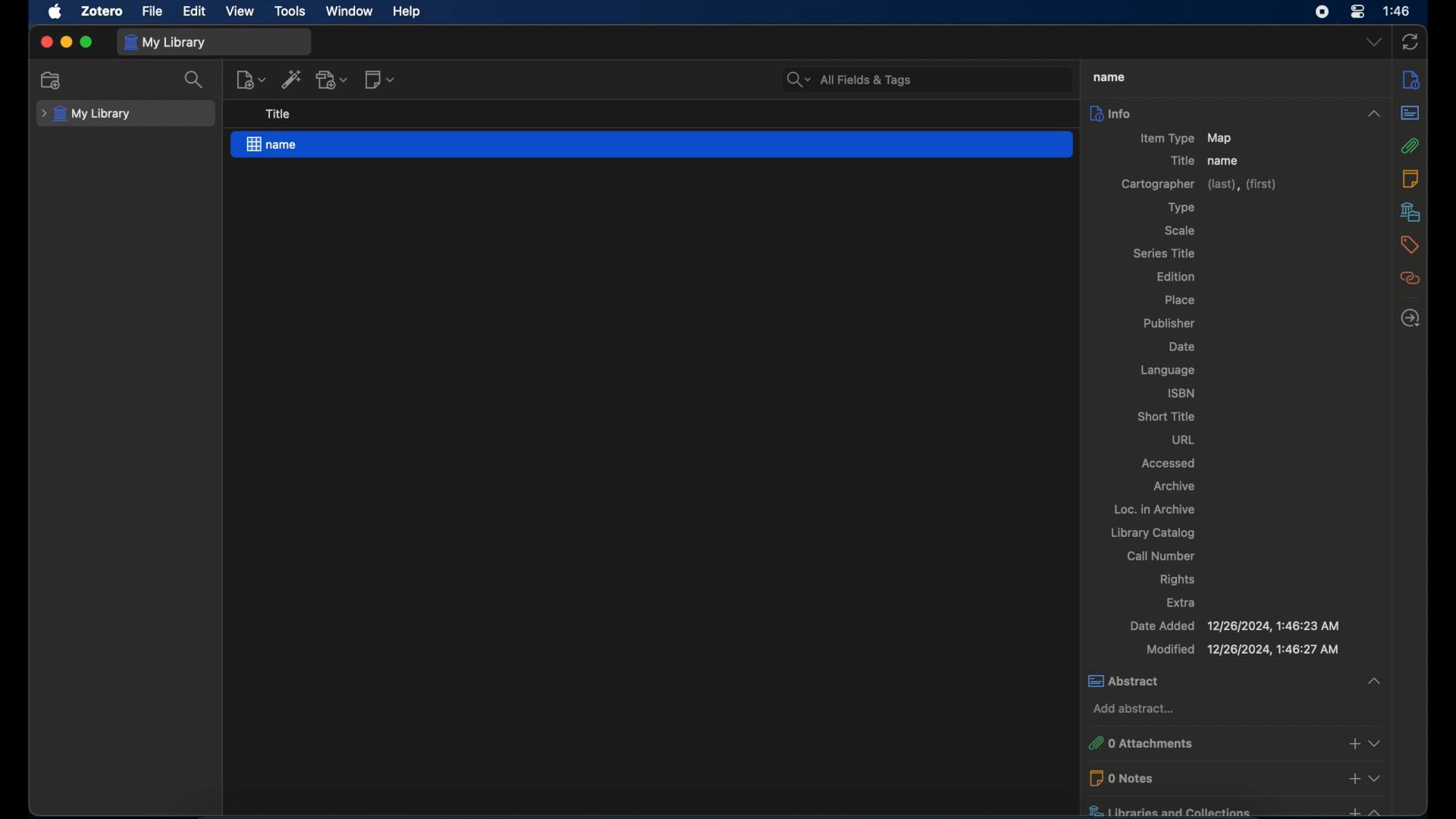  Describe the element at coordinates (1172, 322) in the screenshot. I see `publisher` at that location.